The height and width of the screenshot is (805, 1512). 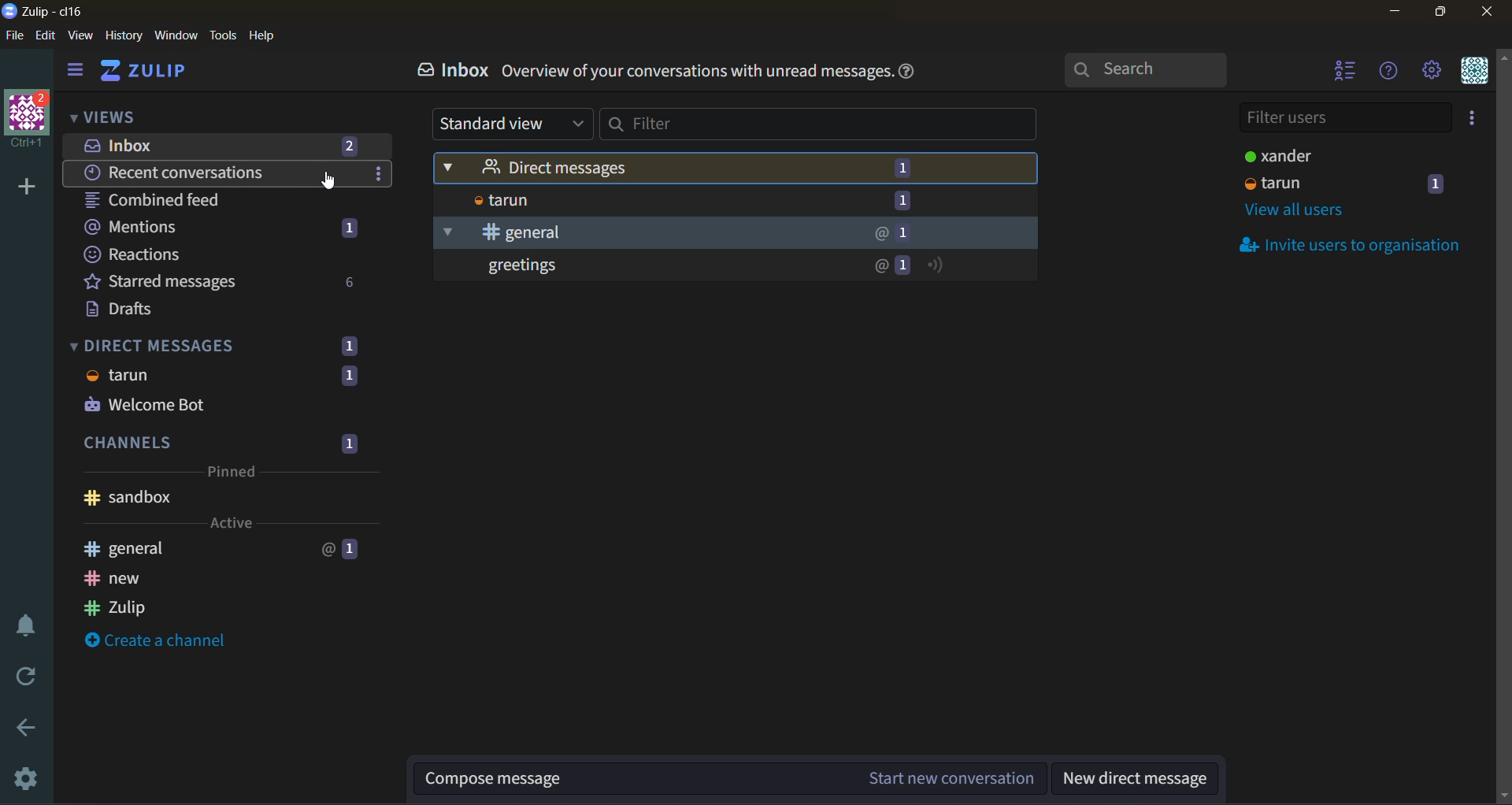 I want to click on window, so click(x=176, y=35).